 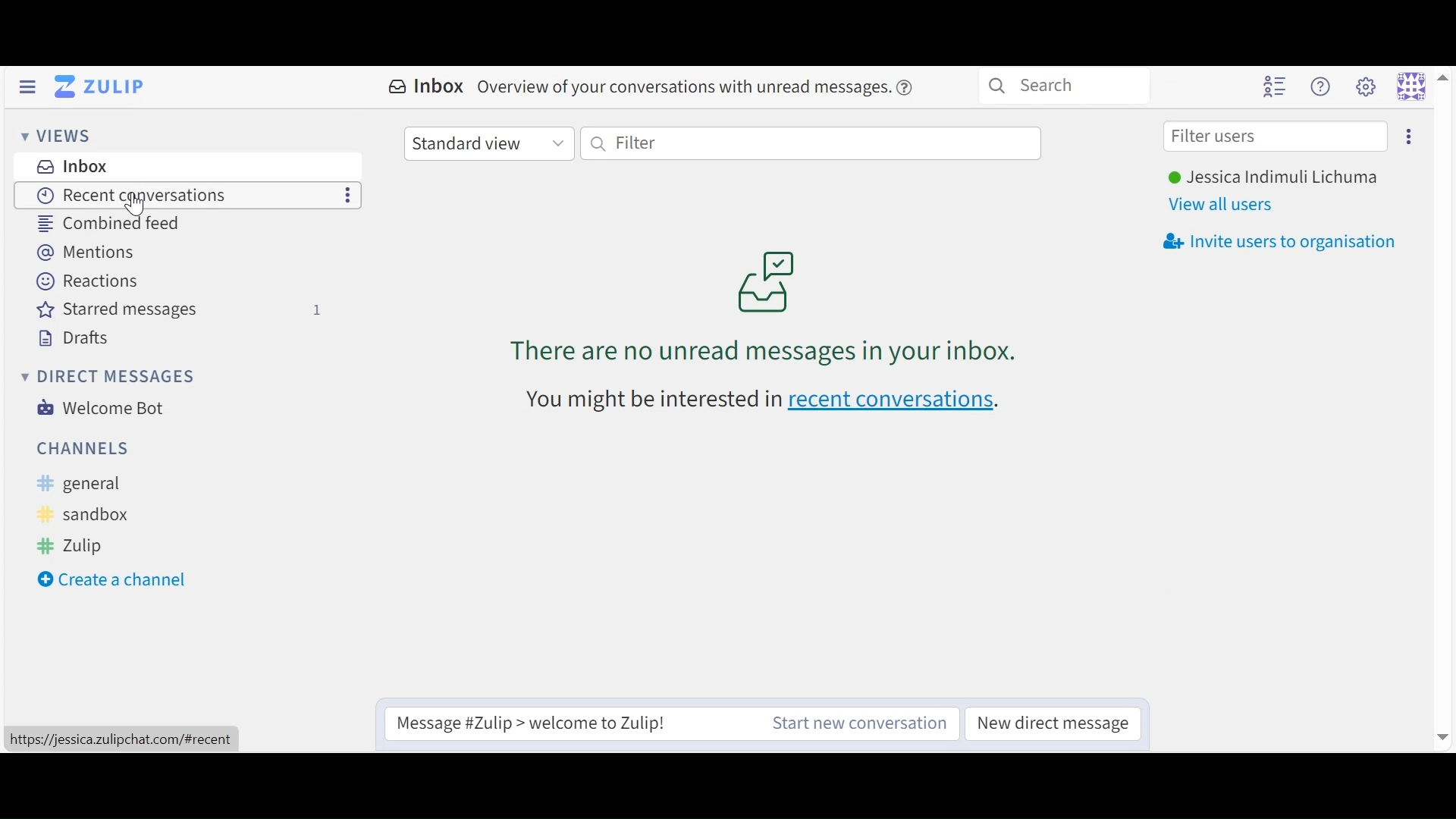 What do you see at coordinates (177, 309) in the screenshot?
I see `Stared Messages` at bounding box center [177, 309].